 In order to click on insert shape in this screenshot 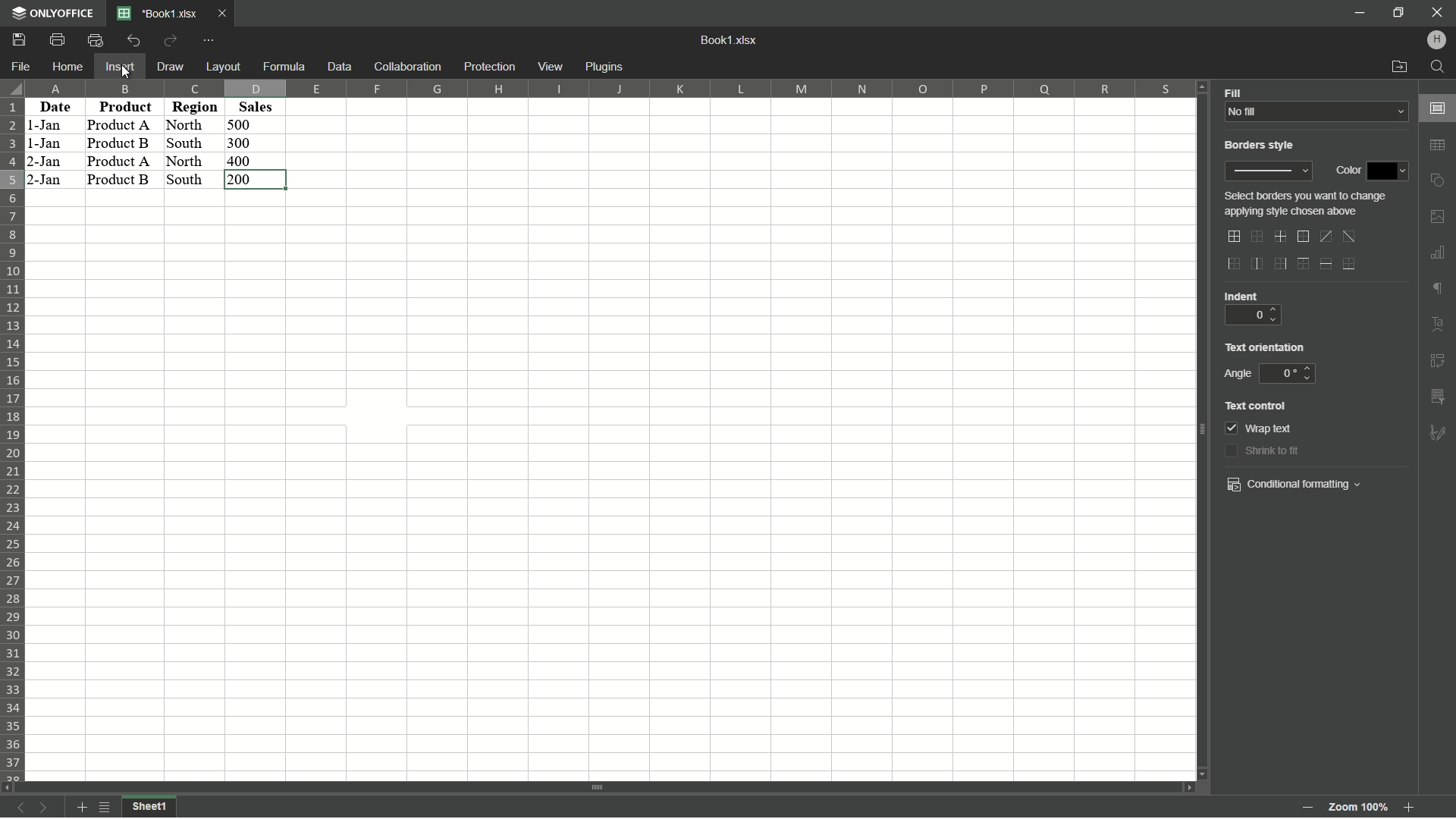, I will do `click(1439, 180)`.